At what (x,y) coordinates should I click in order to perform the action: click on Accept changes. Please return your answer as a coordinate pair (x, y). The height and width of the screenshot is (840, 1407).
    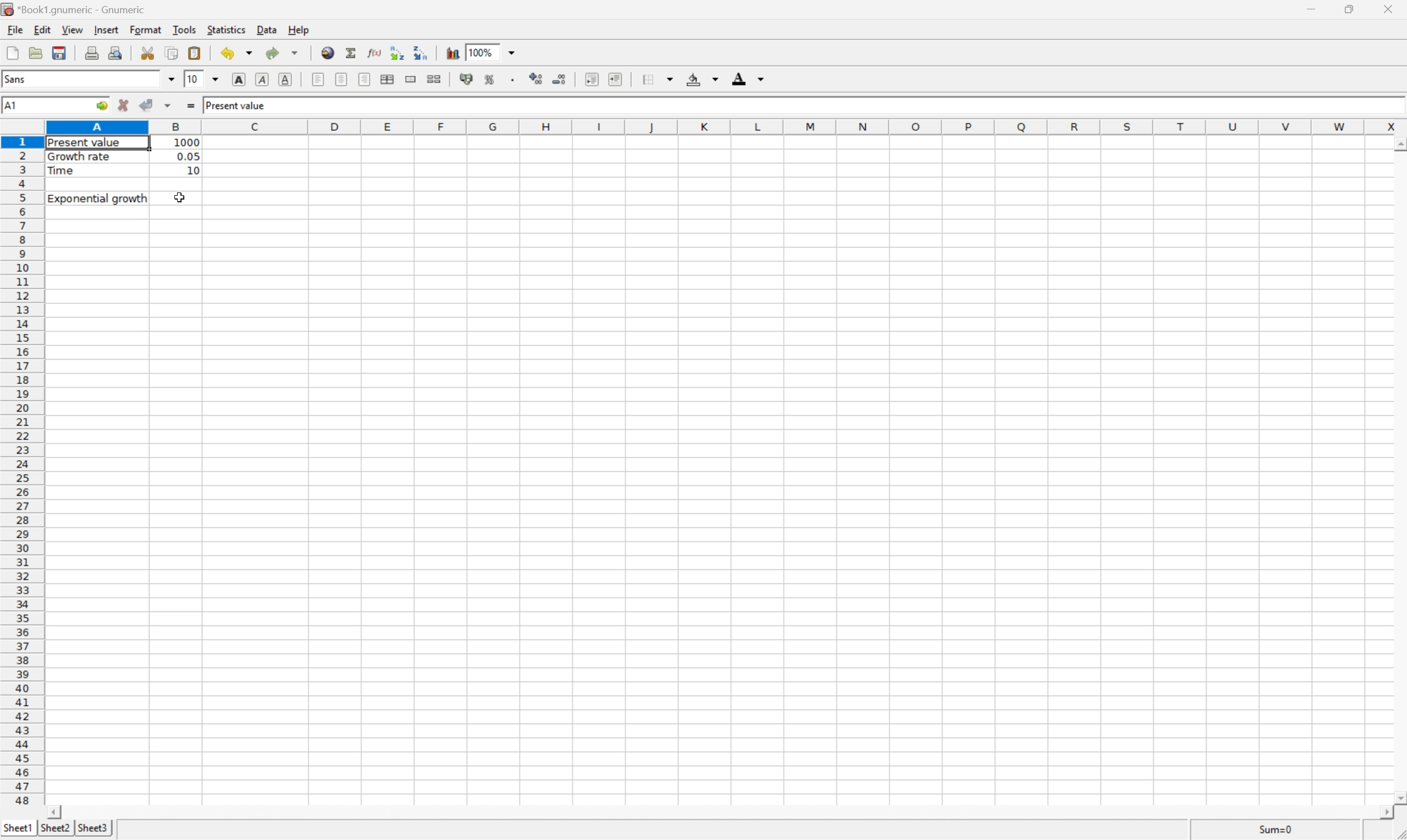
    Looking at the image, I should click on (149, 103).